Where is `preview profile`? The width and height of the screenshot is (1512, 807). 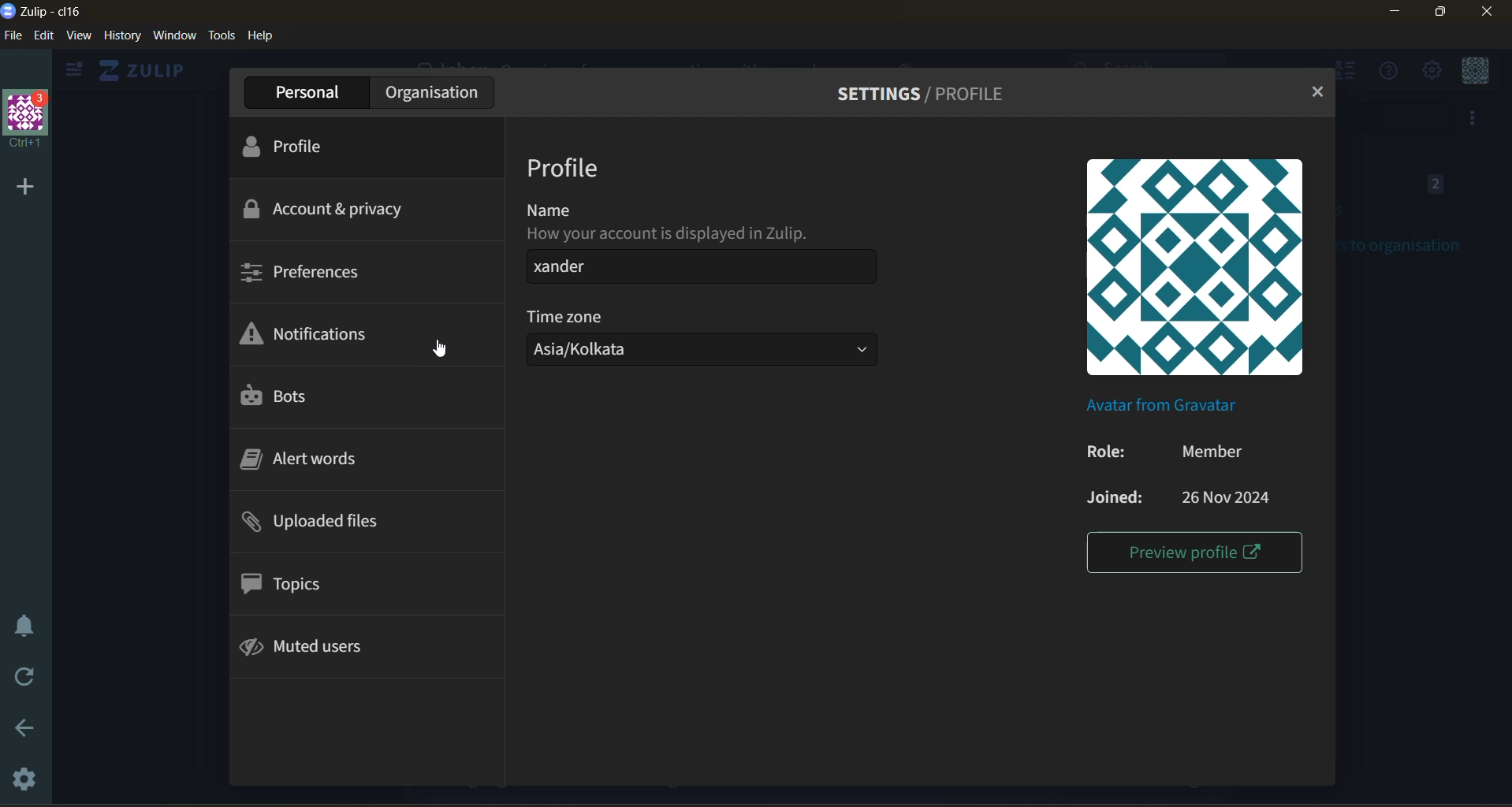 preview profile is located at coordinates (1193, 553).